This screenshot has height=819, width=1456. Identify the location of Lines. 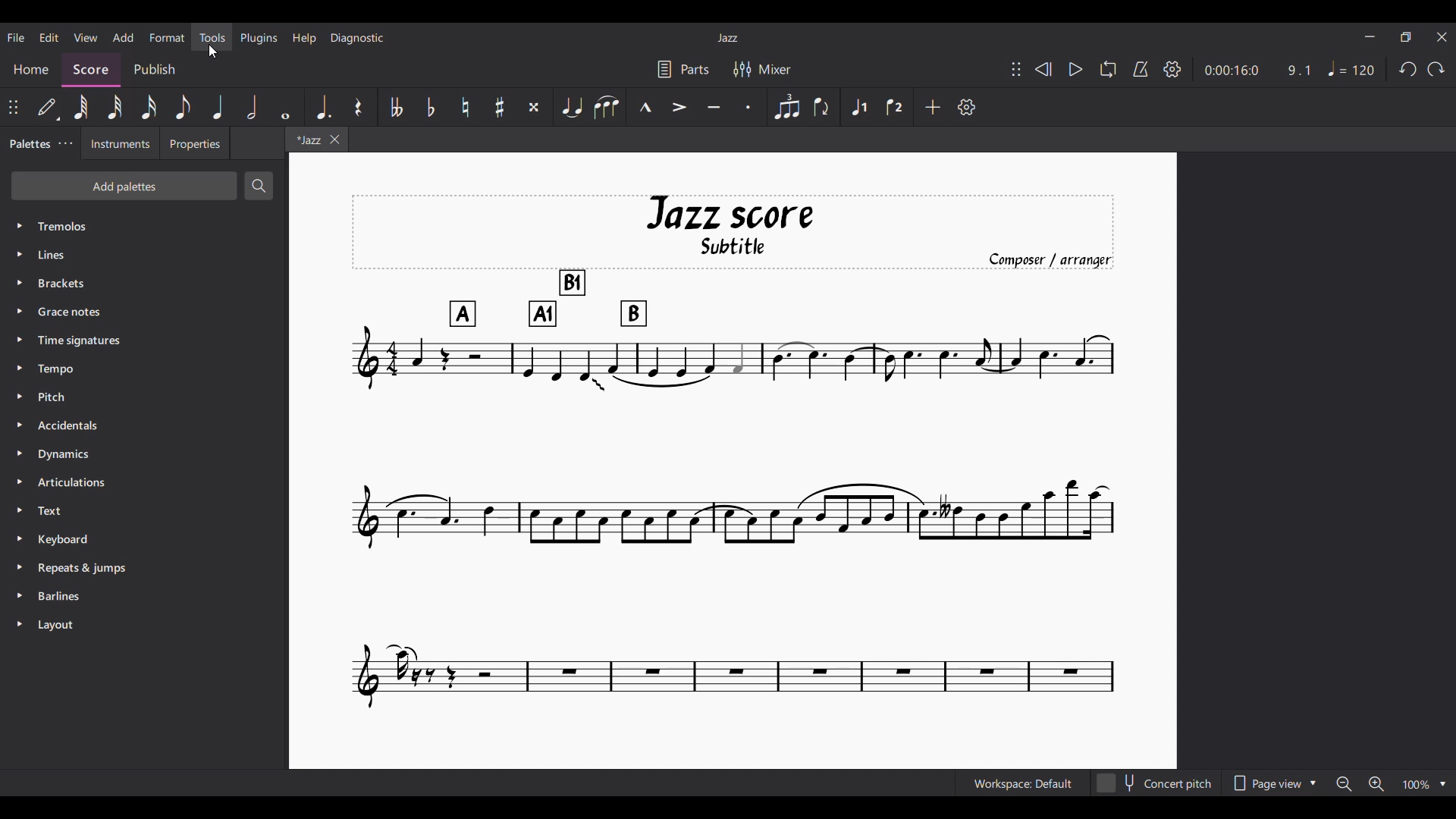
(144, 254).